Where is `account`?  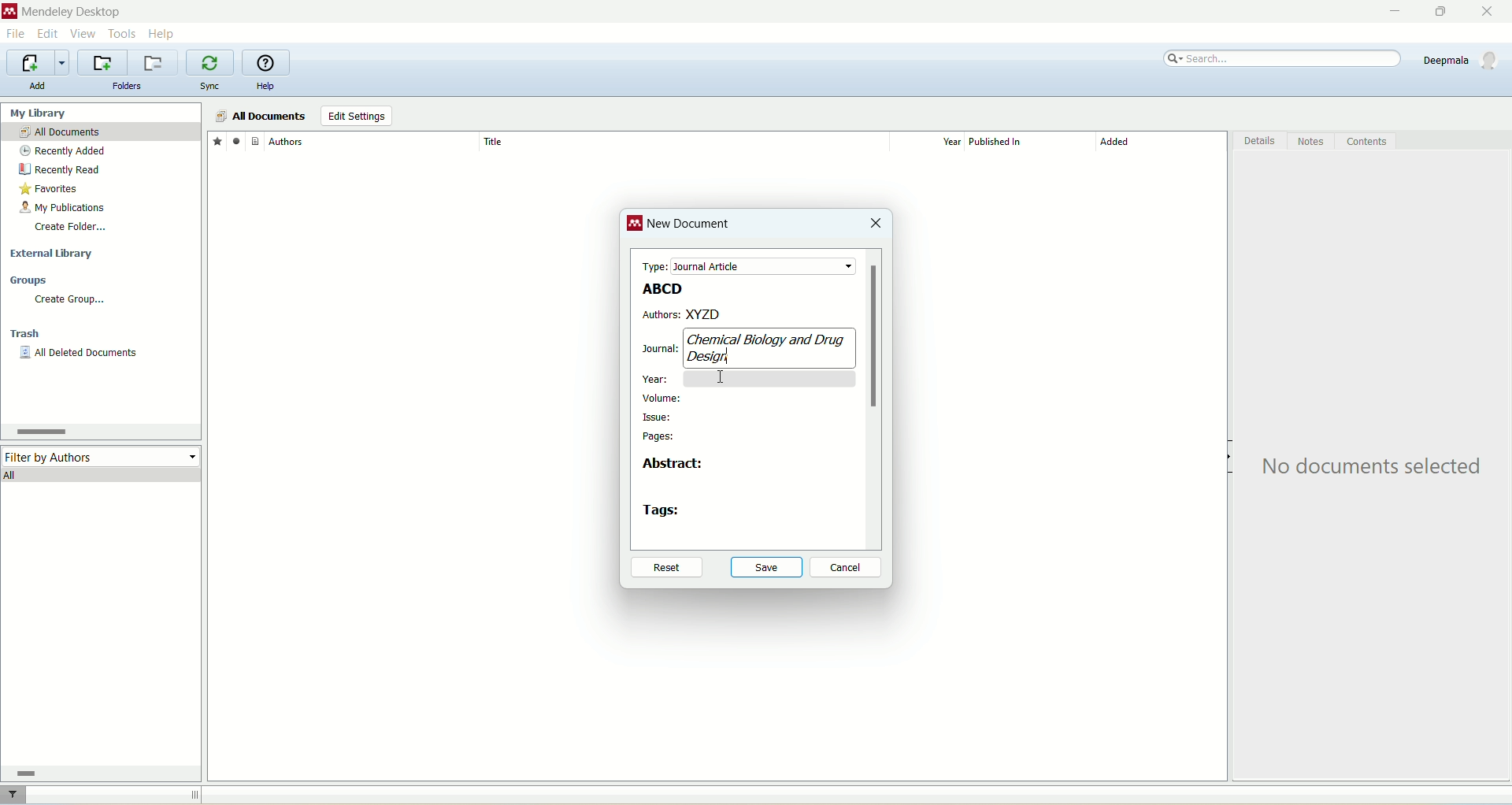 account is located at coordinates (1463, 60).